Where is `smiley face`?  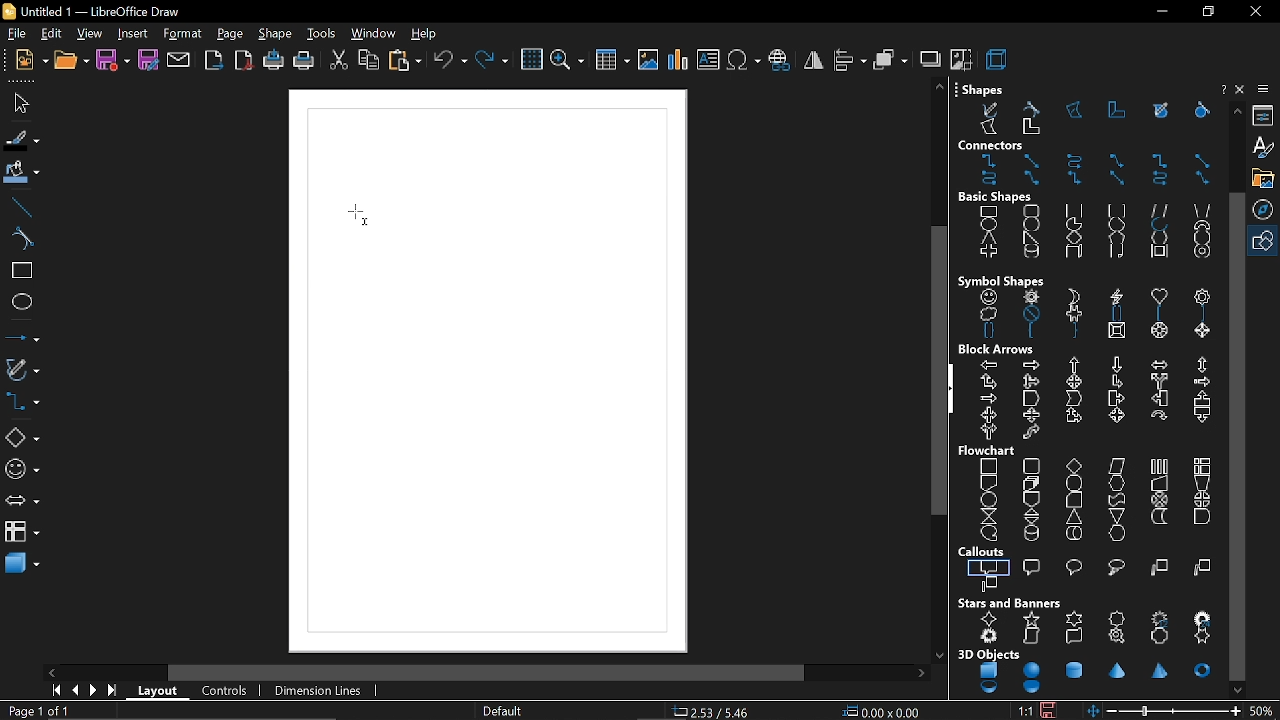 smiley face is located at coordinates (989, 298).